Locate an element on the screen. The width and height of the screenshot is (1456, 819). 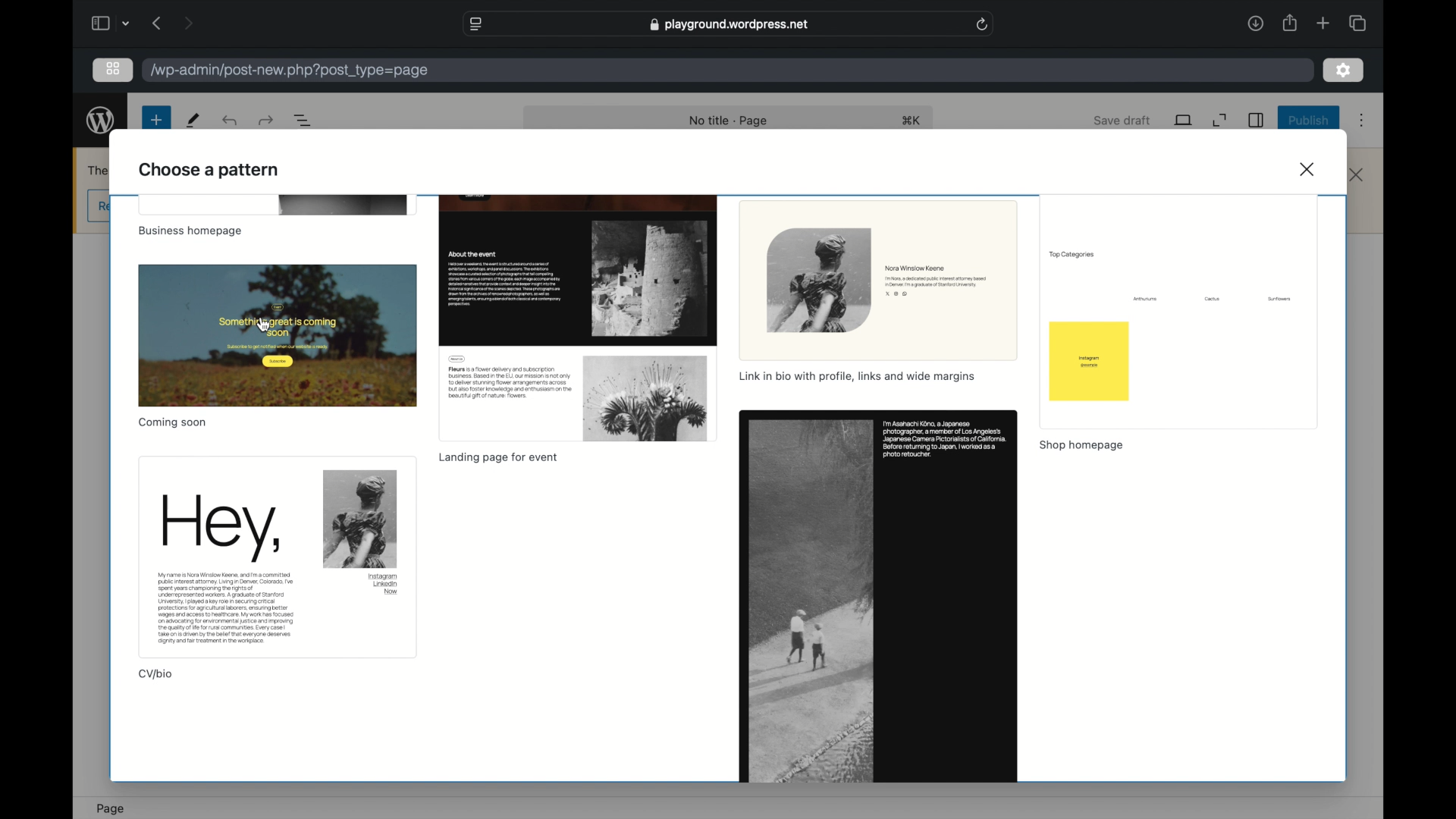
new is located at coordinates (155, 121).